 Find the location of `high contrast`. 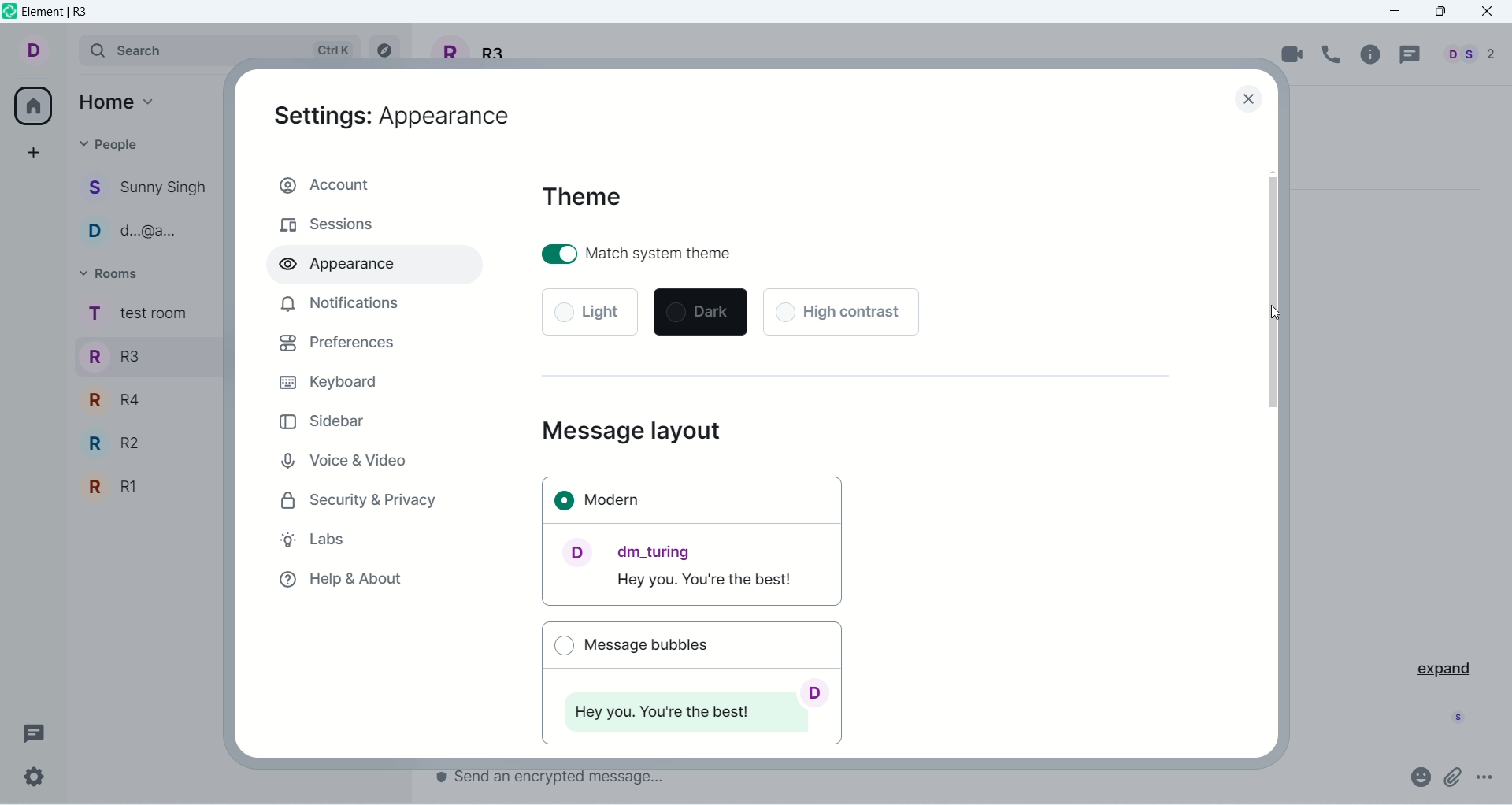

high contrast is located at coordinates (850, 311).